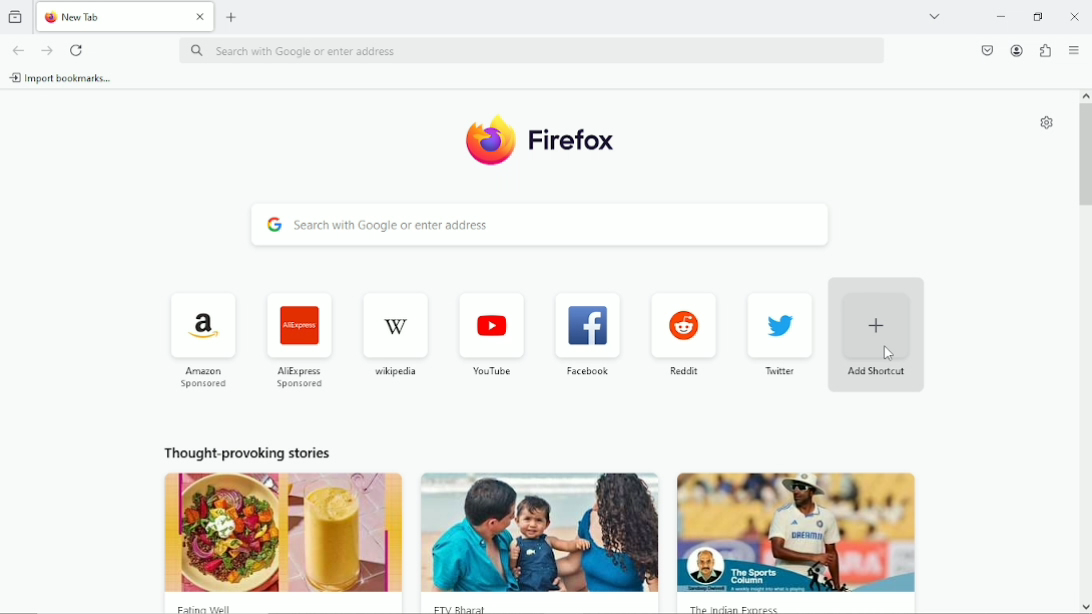  What do you see at coordinates (491, 331) in the screenshot?
I see `youtube` at bounding box center [491, 331].